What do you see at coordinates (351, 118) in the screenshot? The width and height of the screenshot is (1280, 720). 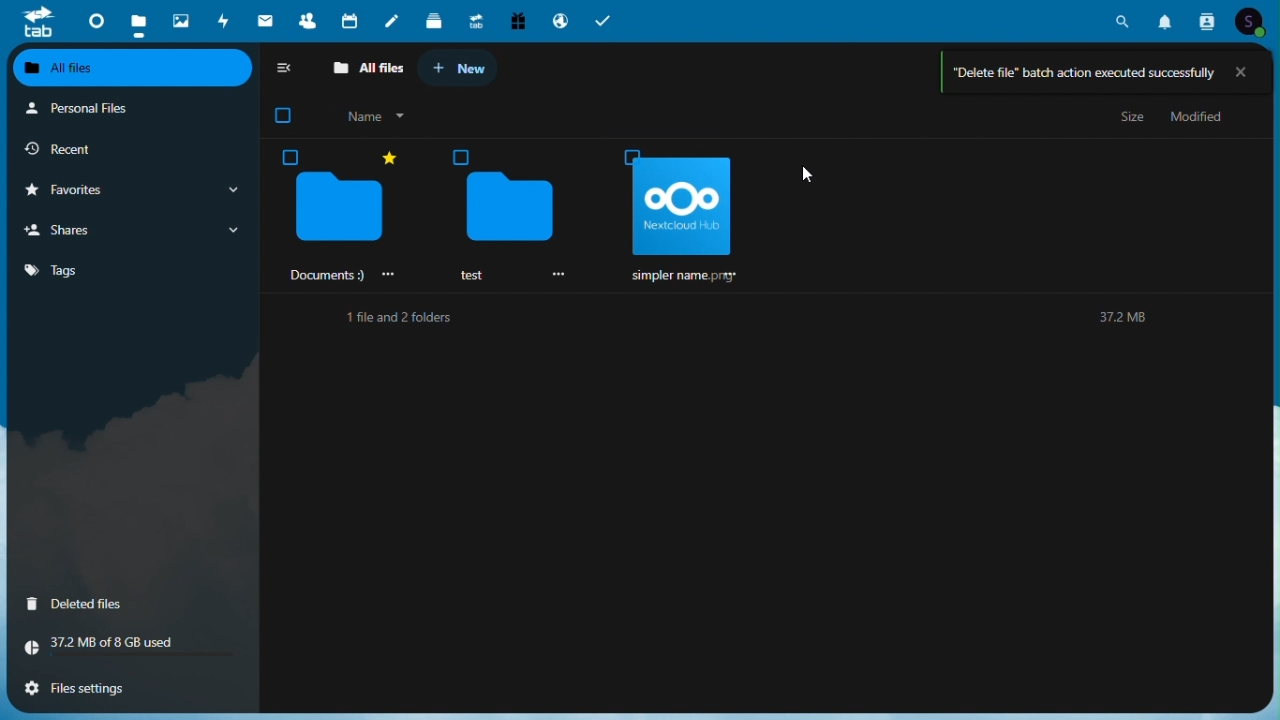 I see `1 1 selected` at bounding box center [351, 118].